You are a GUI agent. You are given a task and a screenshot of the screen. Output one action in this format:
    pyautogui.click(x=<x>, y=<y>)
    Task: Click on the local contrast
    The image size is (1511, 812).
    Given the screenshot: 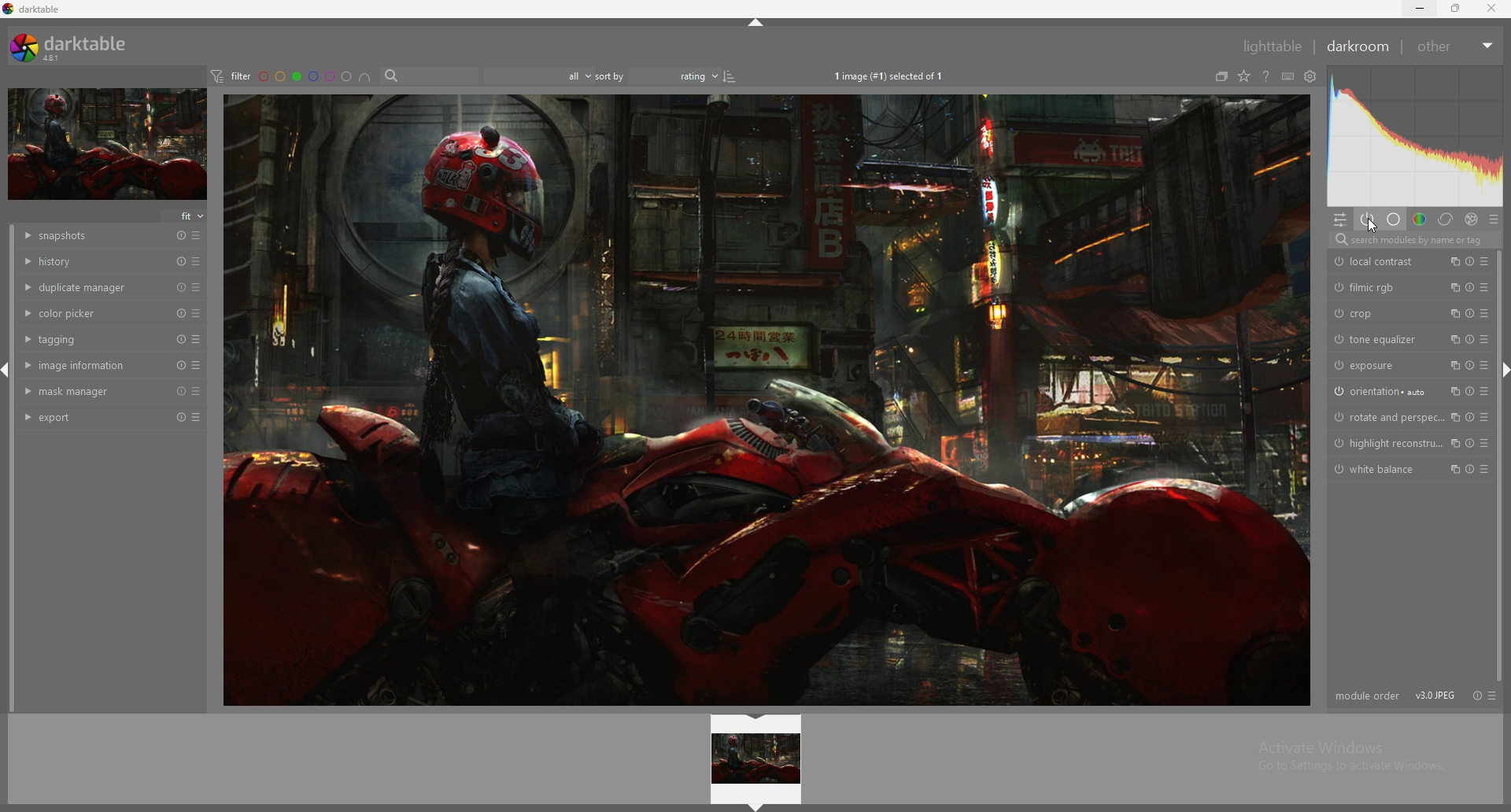 What is the action you would take?
    pyautogui.click(x=1380, y=262)
    